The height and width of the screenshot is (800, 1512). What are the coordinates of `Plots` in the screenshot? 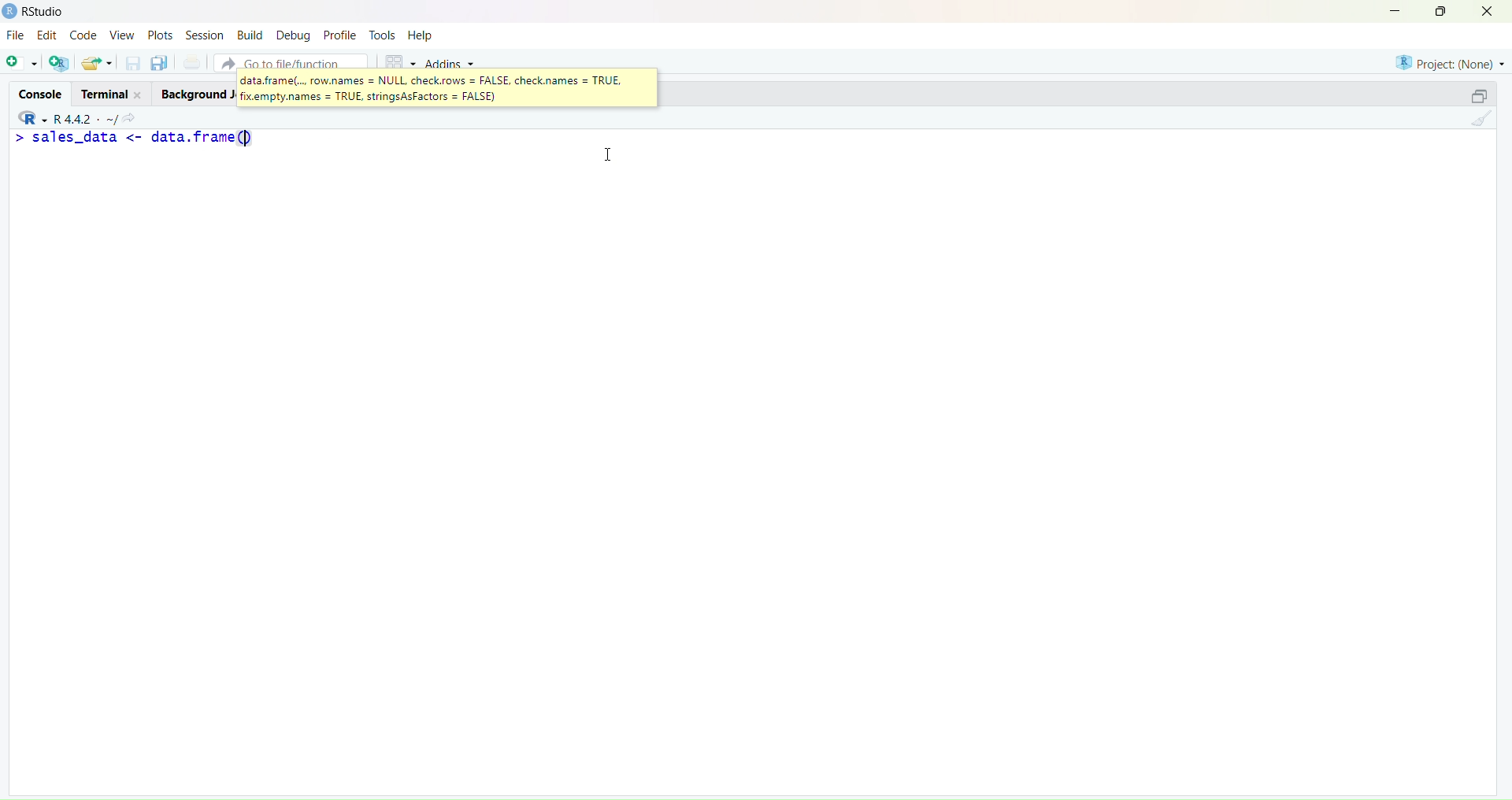 It's located at (160, 33).